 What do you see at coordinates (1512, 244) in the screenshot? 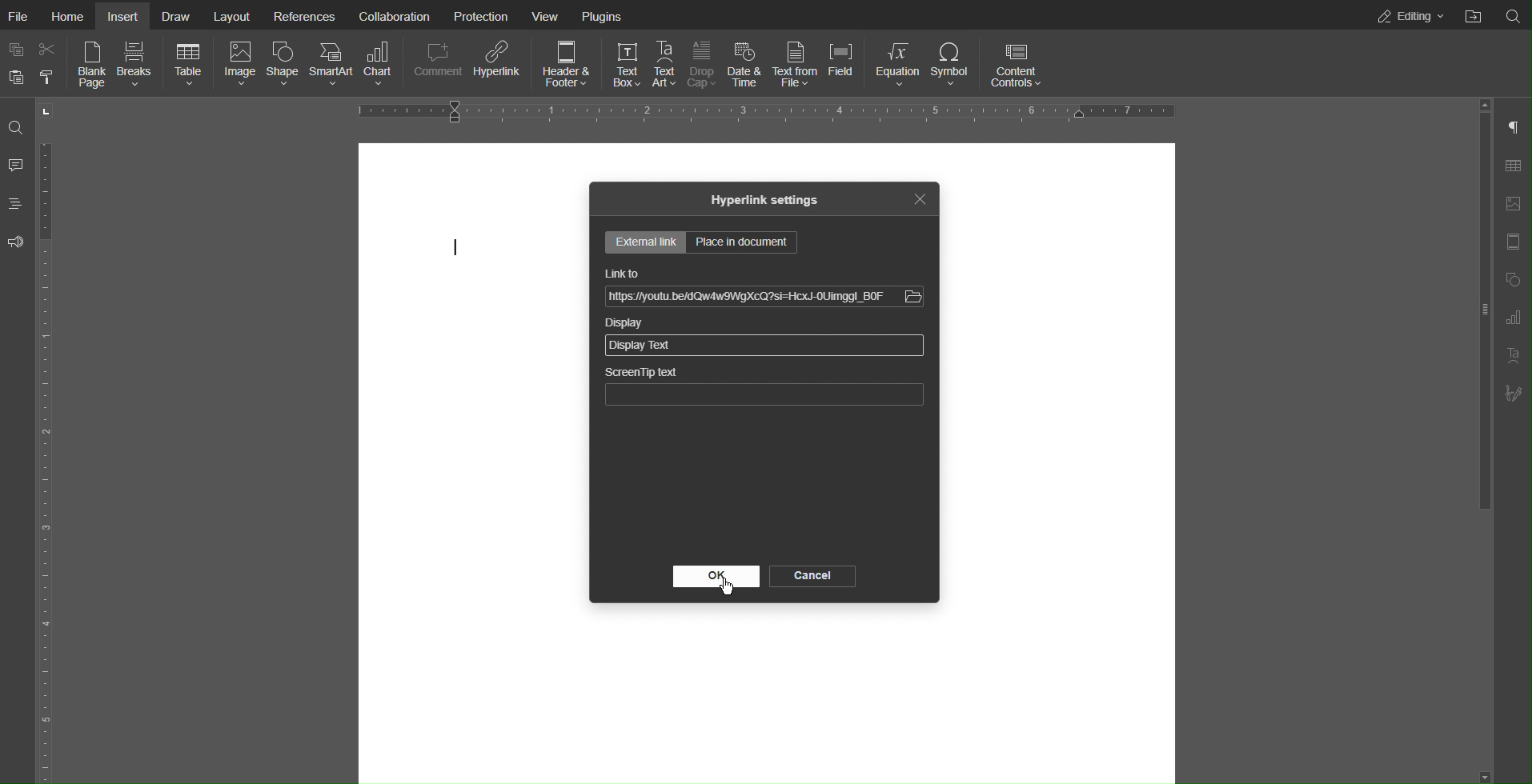
I see `Header Footer` at bounding box center [1512, 244].